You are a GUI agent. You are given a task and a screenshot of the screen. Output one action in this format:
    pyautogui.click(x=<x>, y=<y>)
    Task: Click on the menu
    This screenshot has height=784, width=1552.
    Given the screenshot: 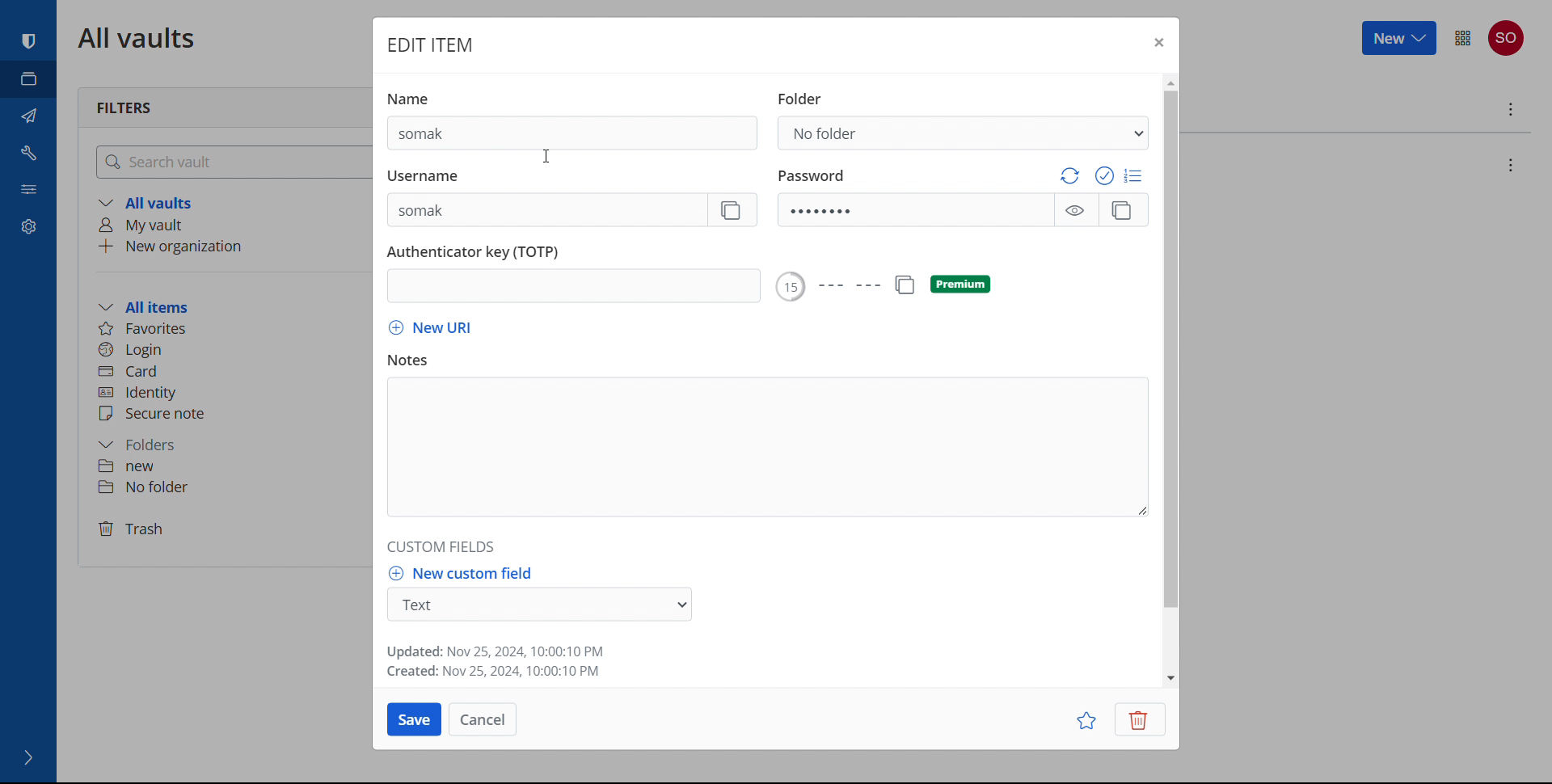 What is the action you would take?
    pyautogui.click(x=1463, y=37)
    